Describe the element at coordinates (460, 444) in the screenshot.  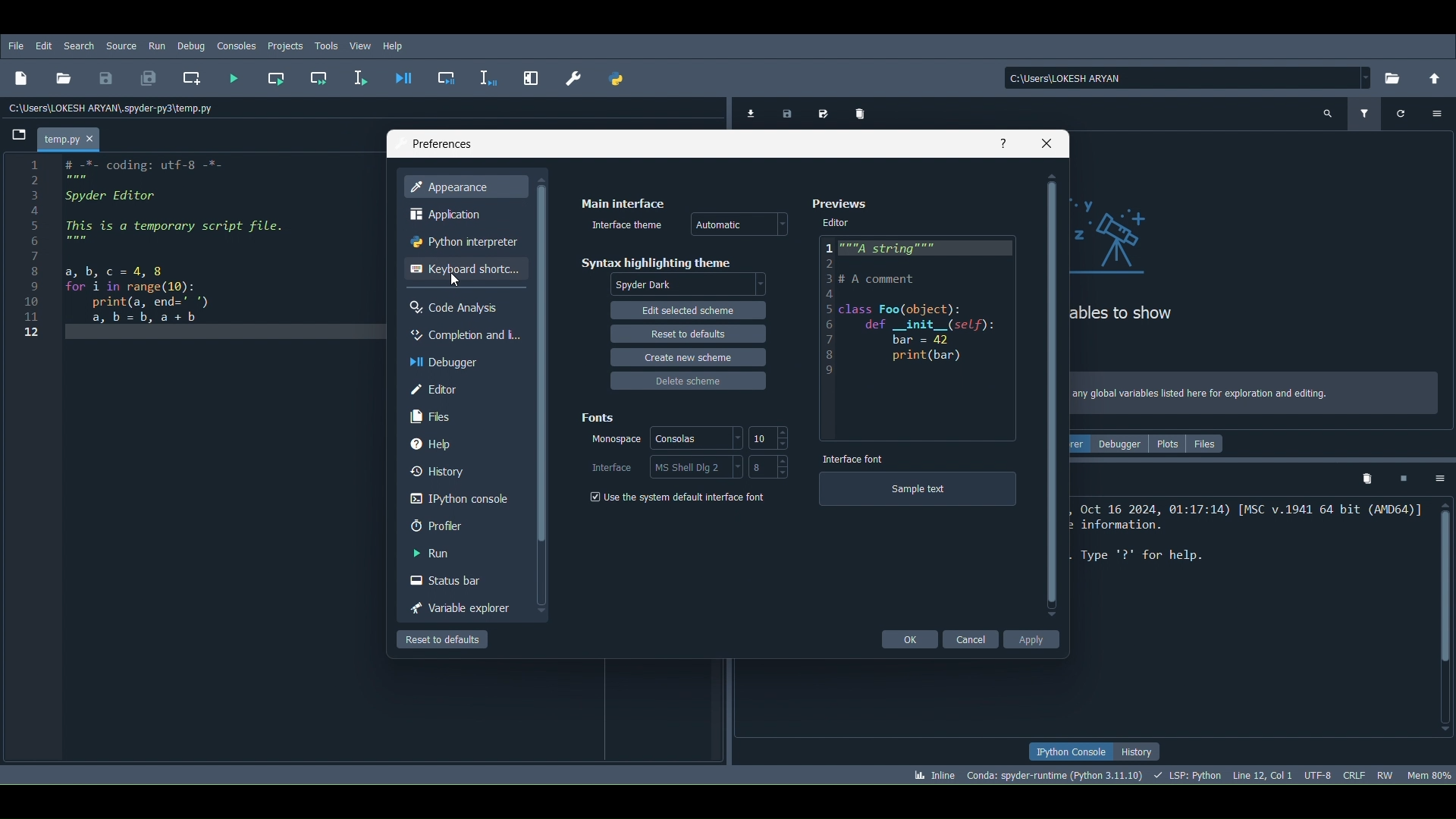
I see `Help` at that location.